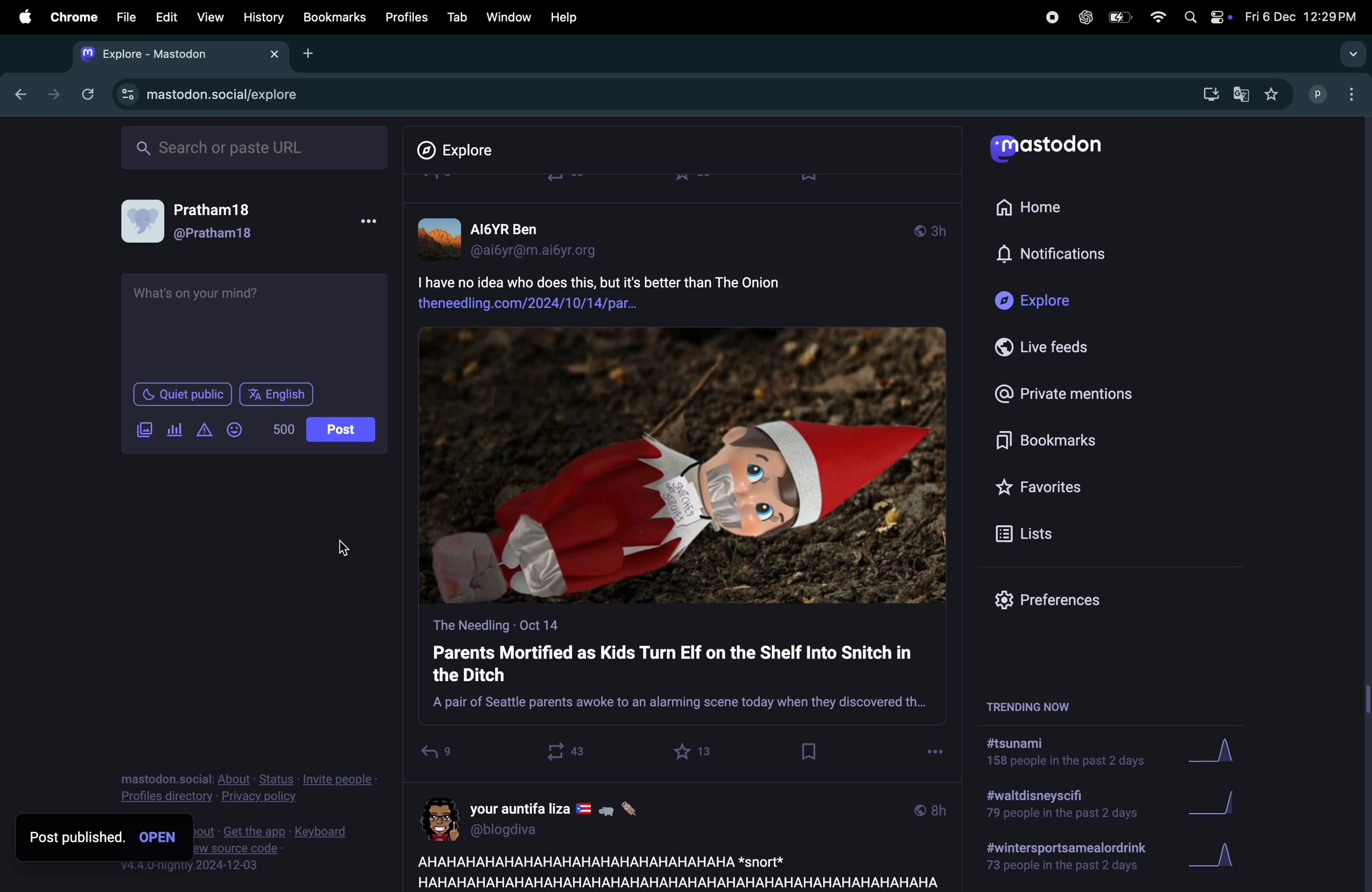 This screenshot has height=892, width=1372. What do you see at coordinates (205, 92) in the screenshot?
I see `mastodo explore` at bounding box center [205, 92].